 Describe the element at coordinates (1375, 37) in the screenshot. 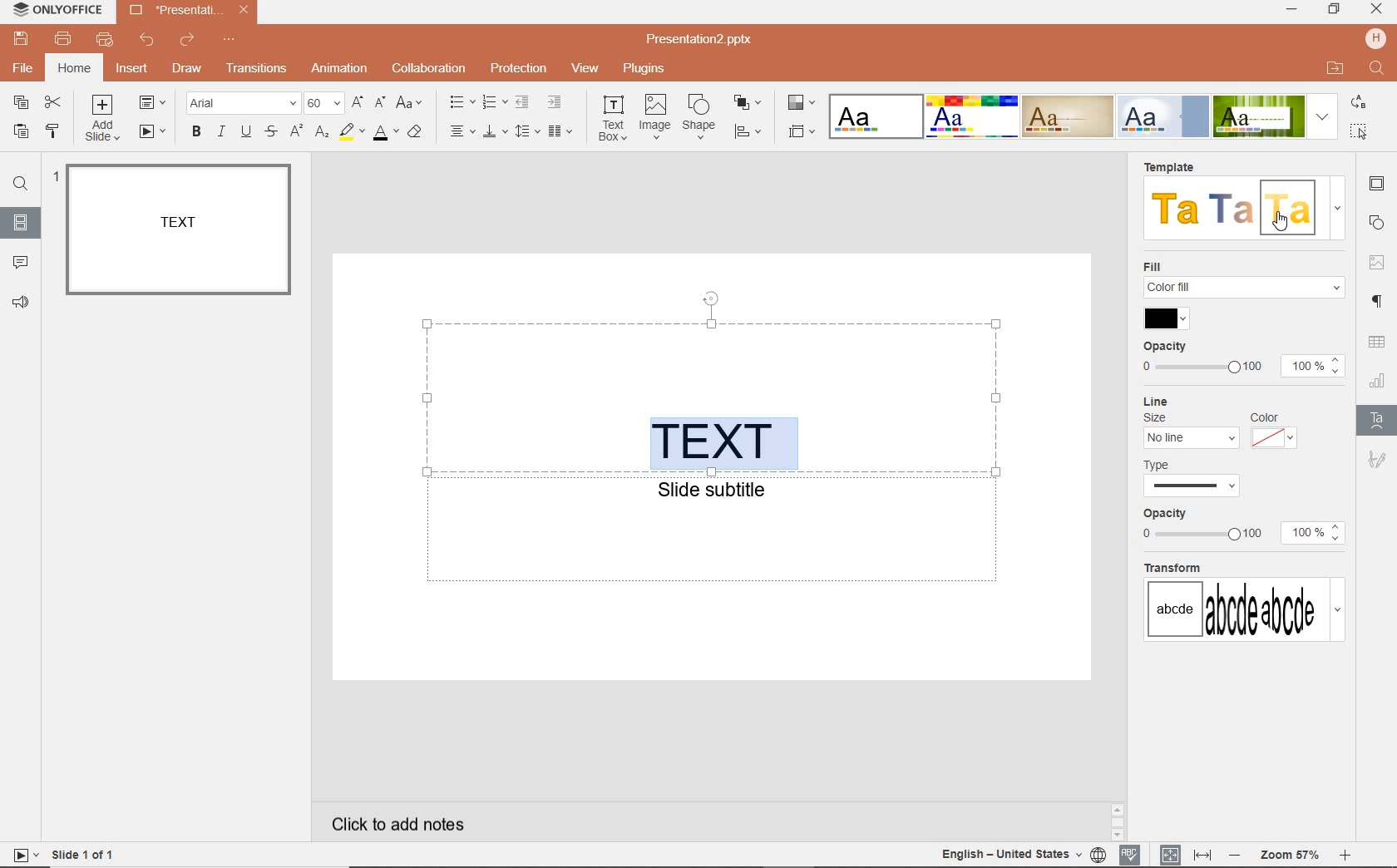

I see `hp` at that location.